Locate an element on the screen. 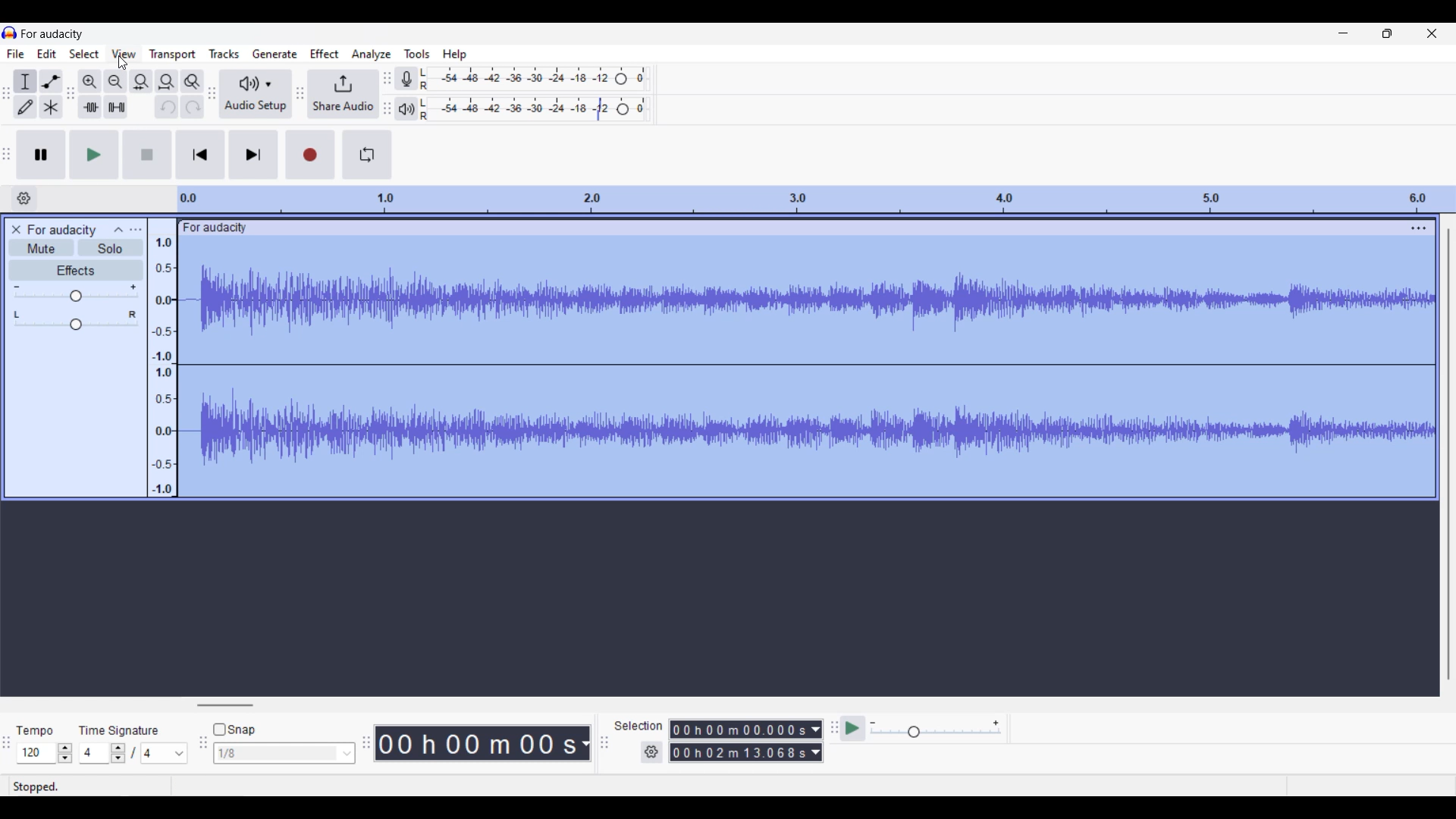 This screenshot has height=819, width=1456. Project name is located at coordinates (61, 231).